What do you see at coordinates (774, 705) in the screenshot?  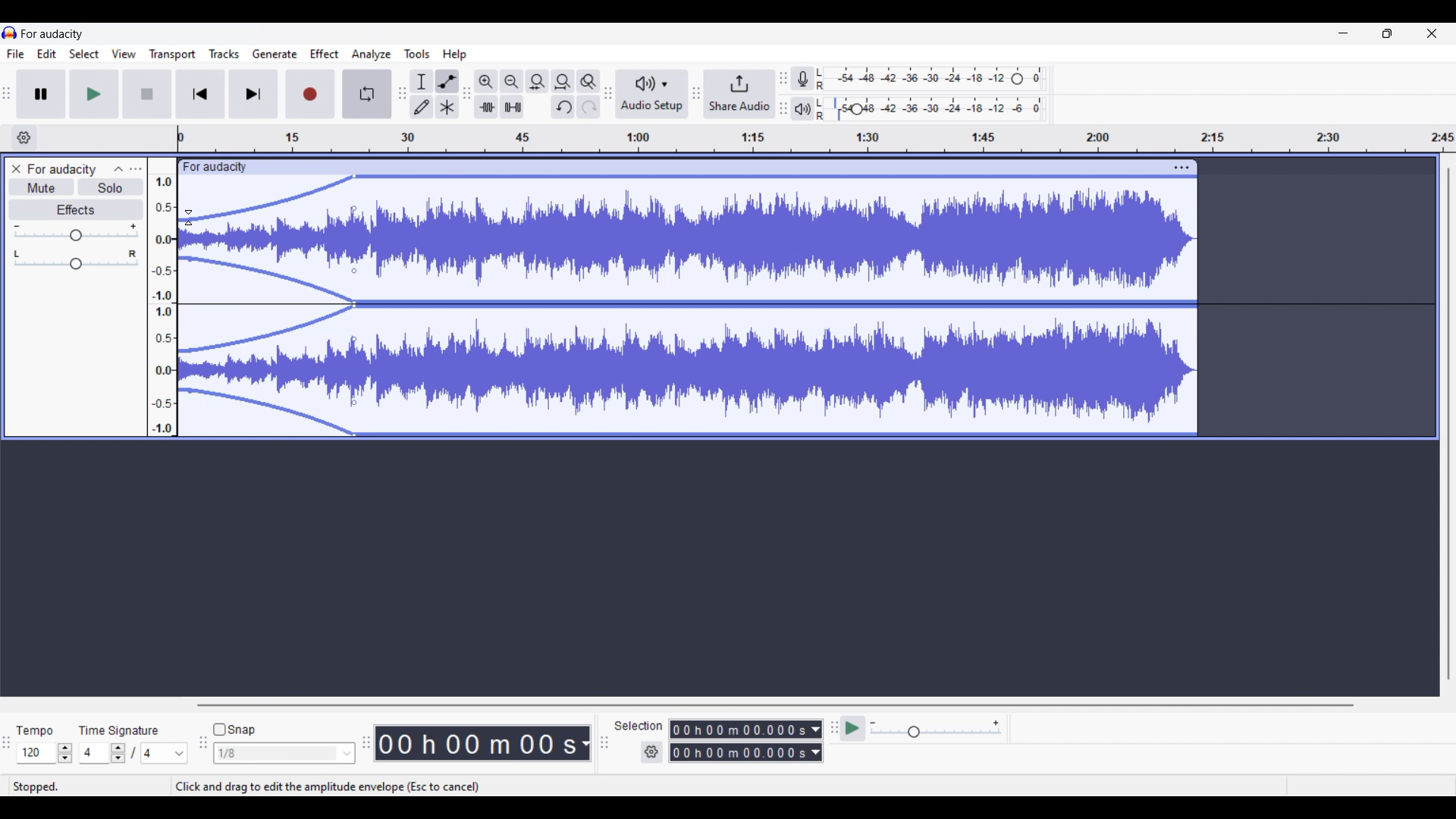 I see `Horizontal slide bar` at bounding box center [774, 705].